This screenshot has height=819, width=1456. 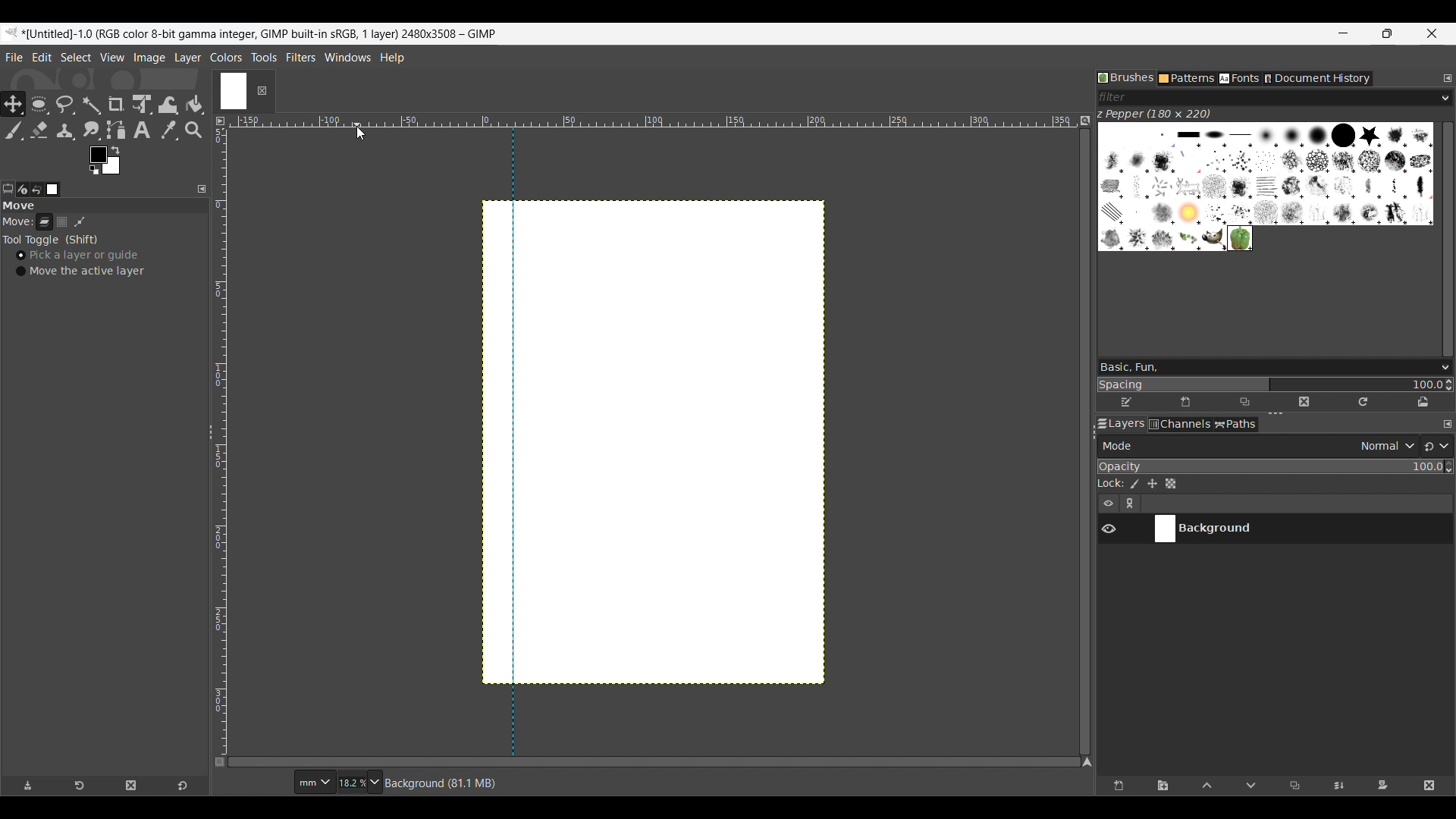 I want to click on Show interface in a smaller tab, so click(x=1387, y=33).